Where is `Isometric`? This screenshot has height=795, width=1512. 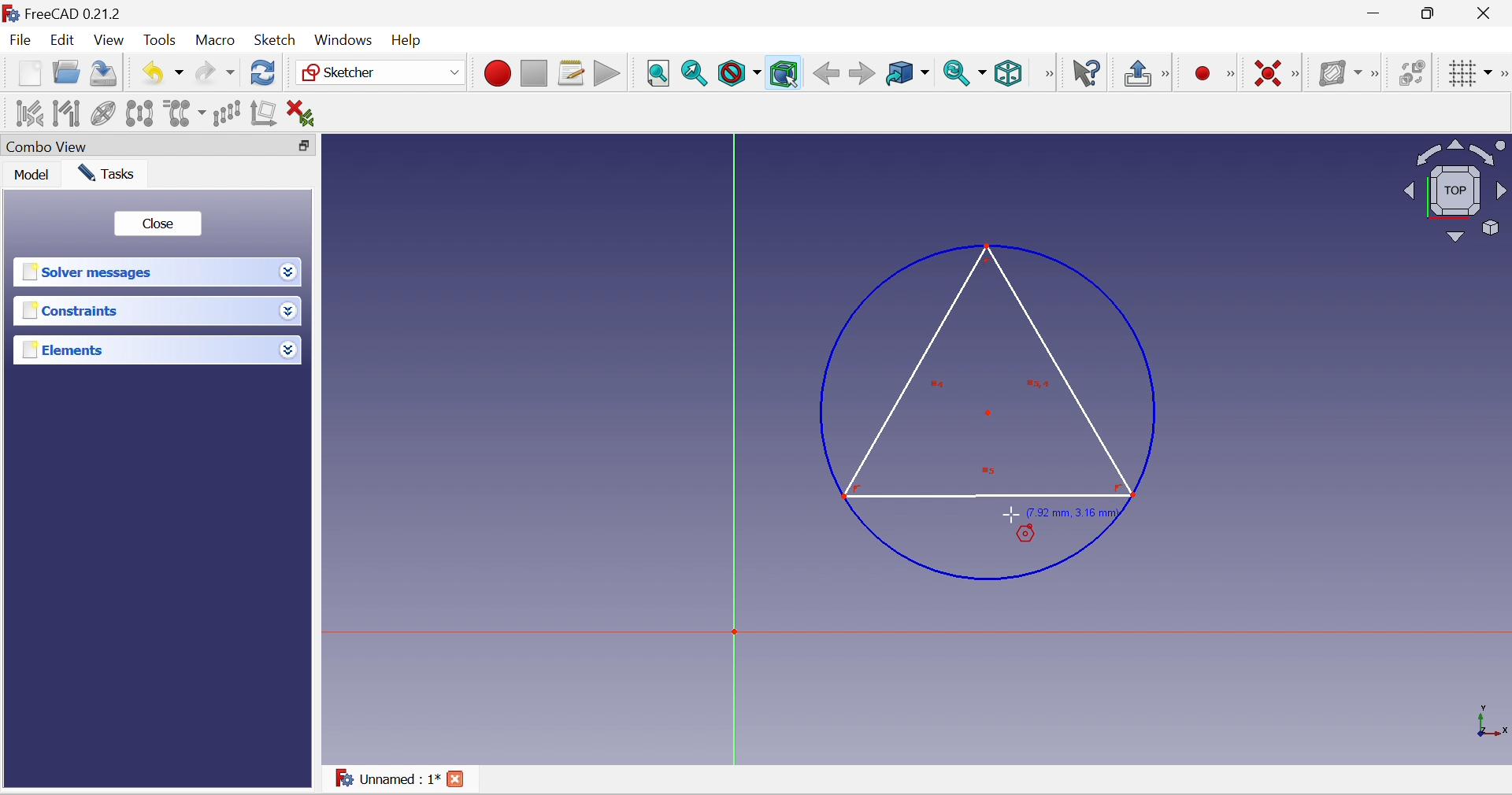 Isometric is located at coordinates (1009, 73).